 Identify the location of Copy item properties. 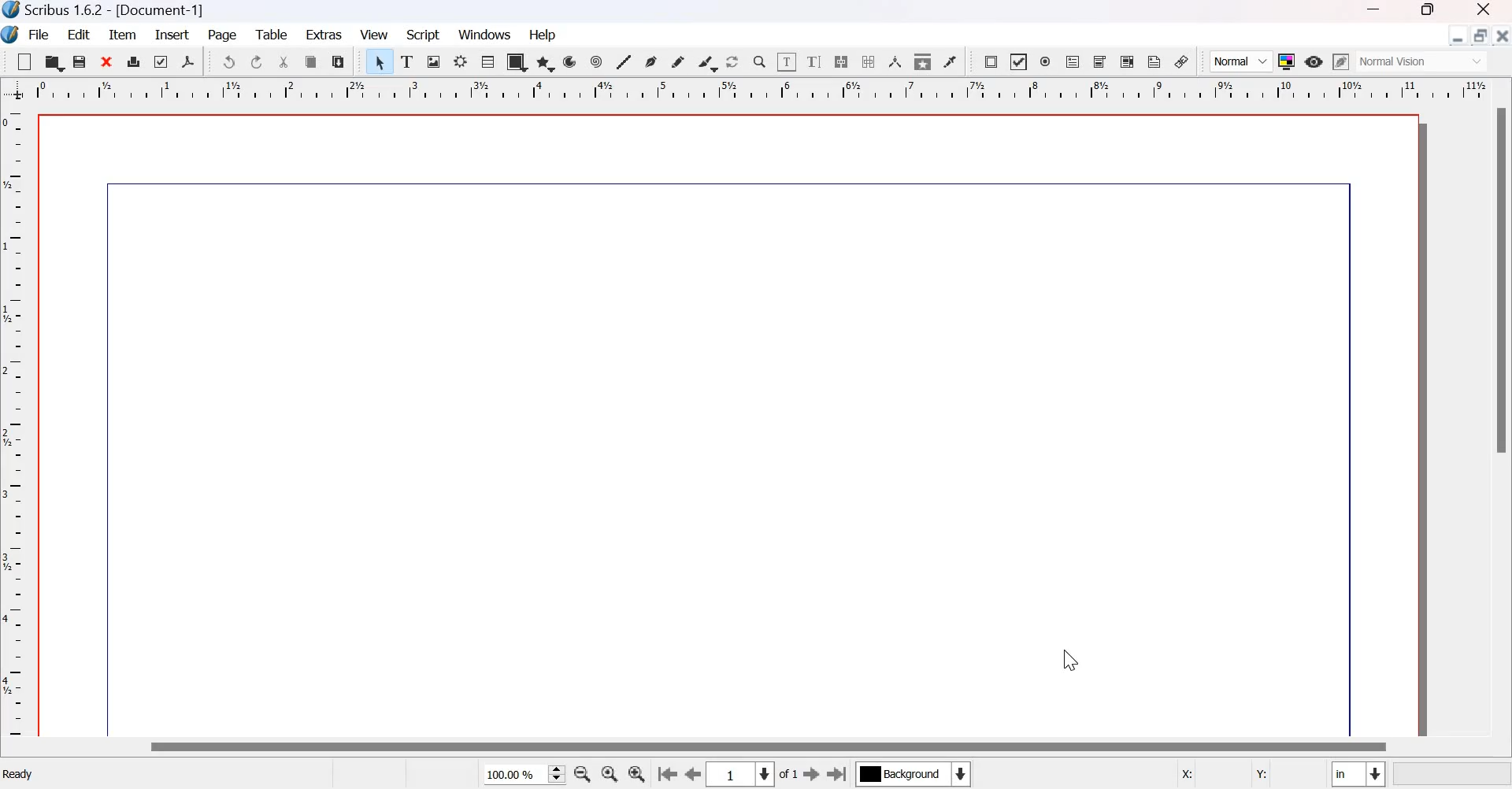
(923, 61).